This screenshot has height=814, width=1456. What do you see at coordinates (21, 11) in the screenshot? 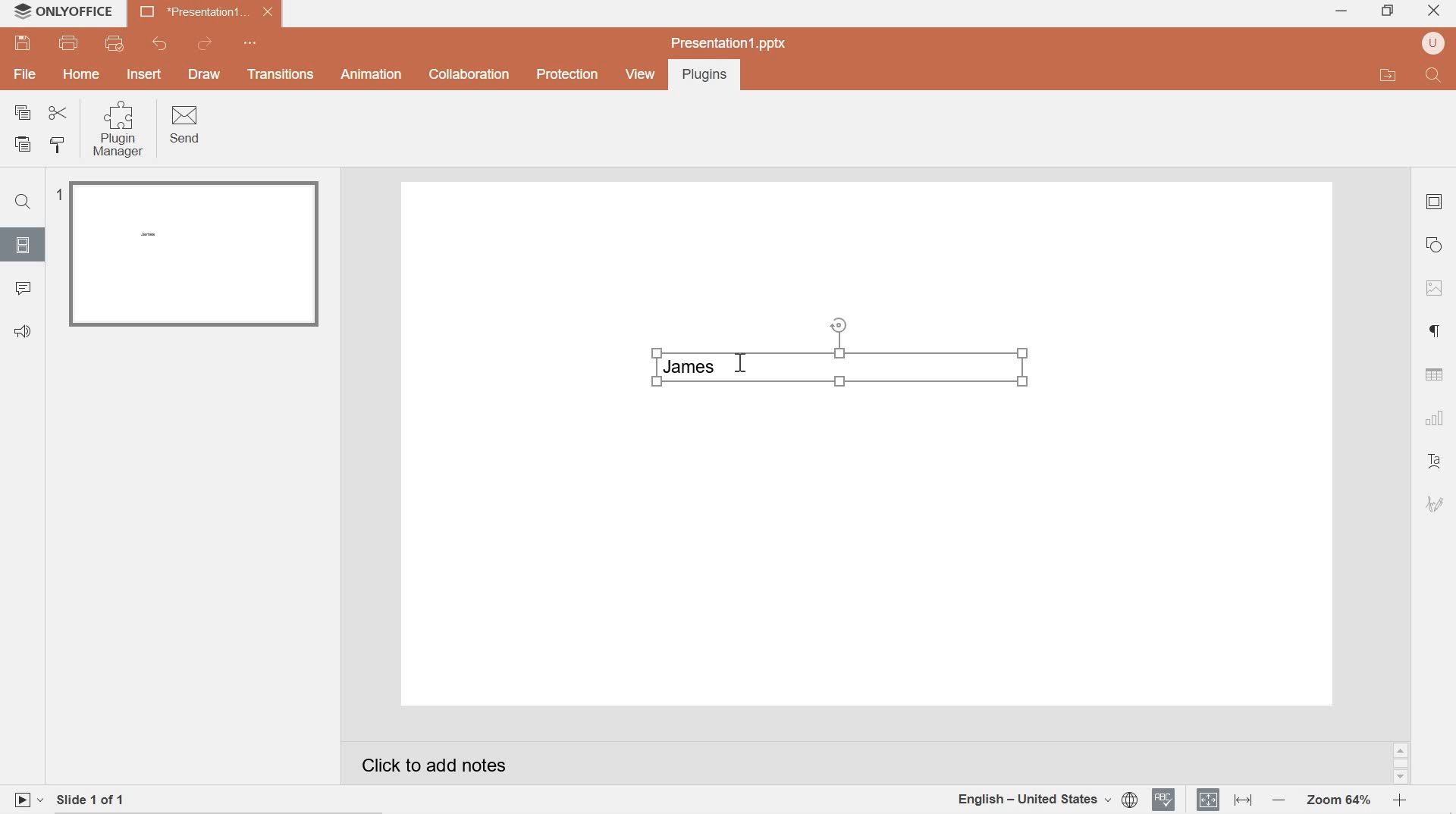
I see `system logo` at bounding box center [21, 11].